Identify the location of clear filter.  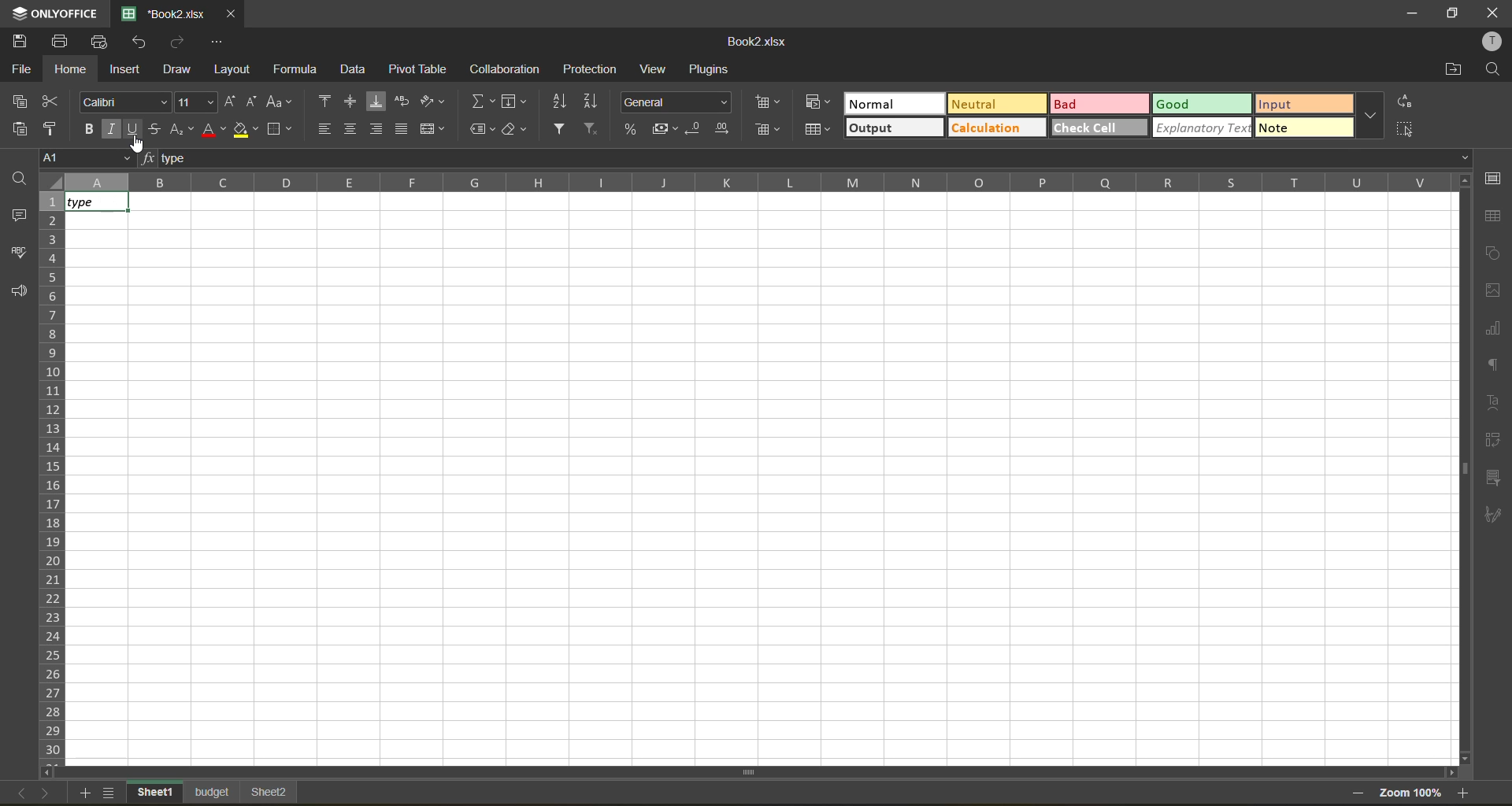
(591, 131).